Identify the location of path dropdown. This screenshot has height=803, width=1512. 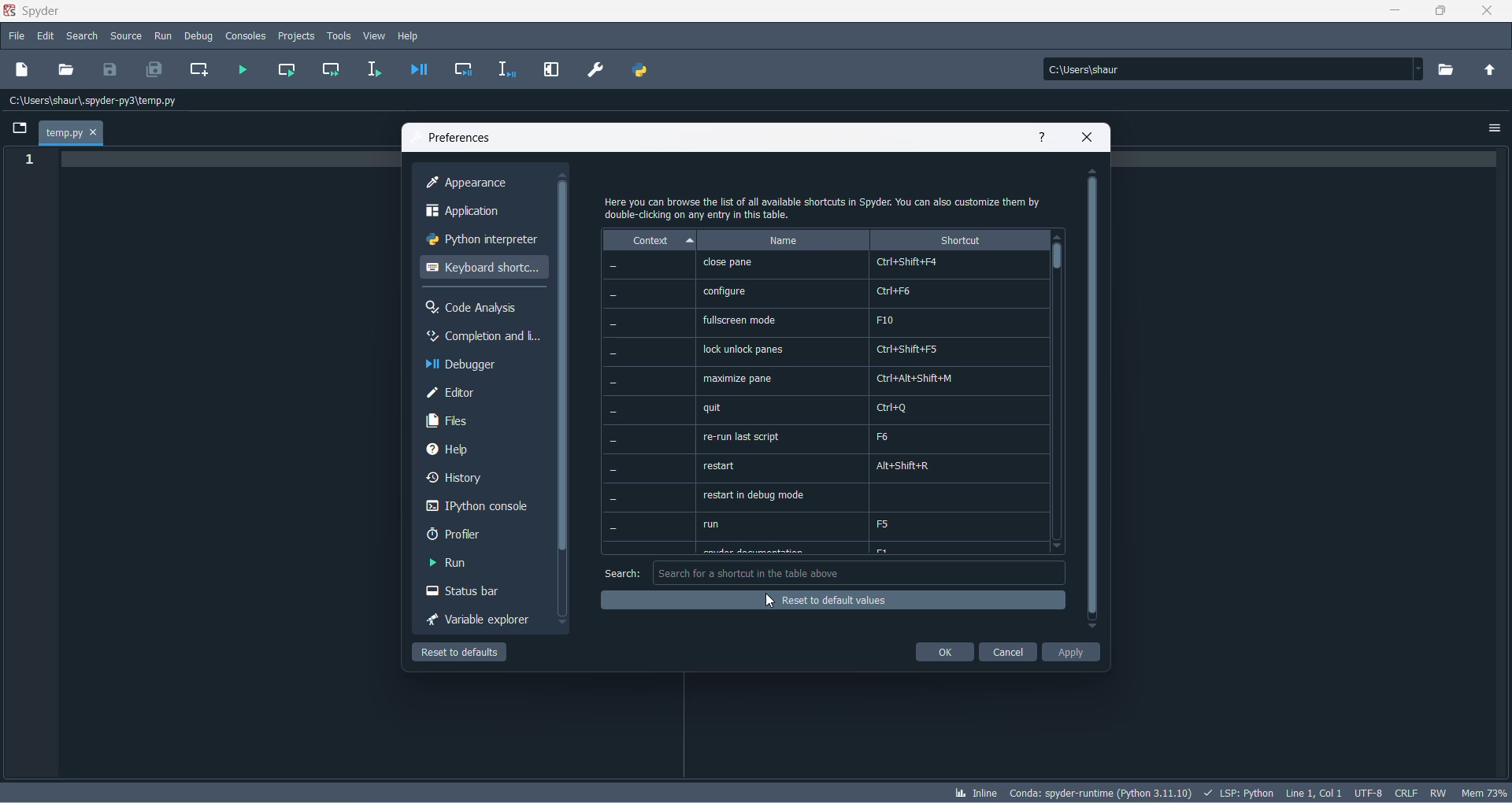
(1421, 71).